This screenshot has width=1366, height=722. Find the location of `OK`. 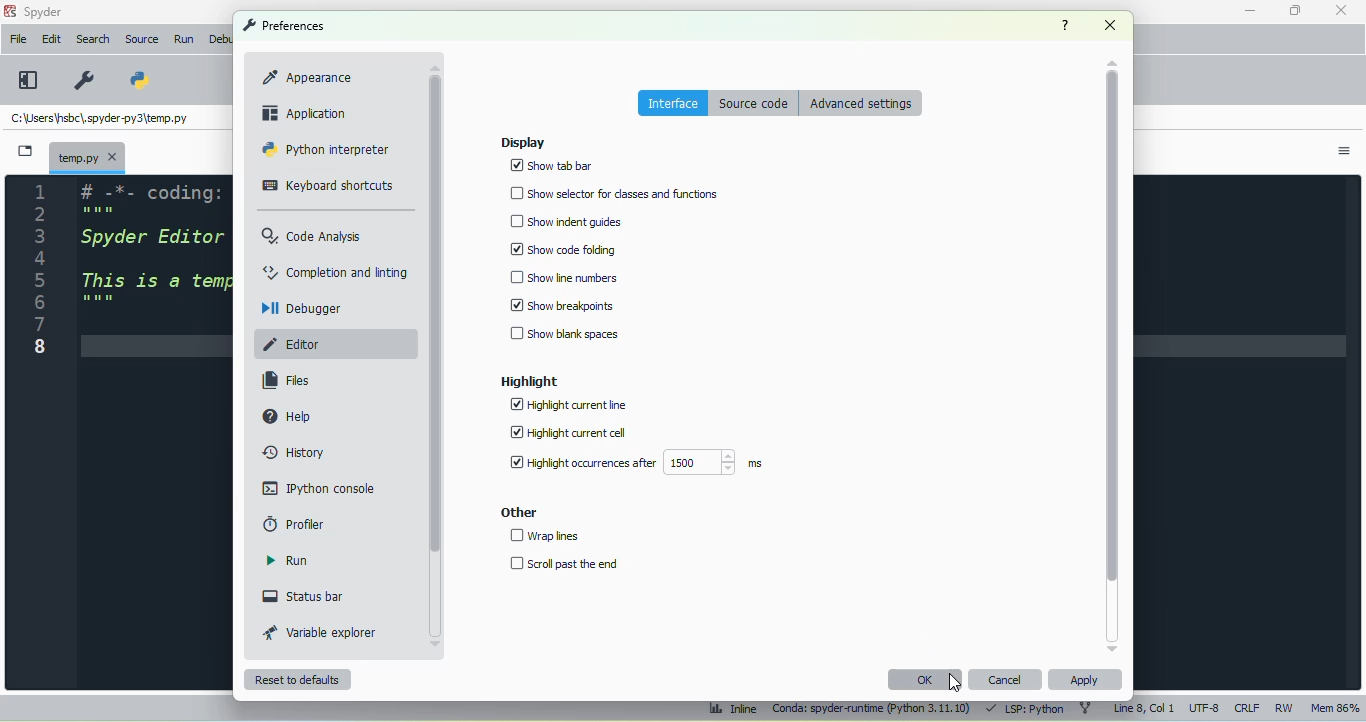

OK is located at coordinates (928, 679).